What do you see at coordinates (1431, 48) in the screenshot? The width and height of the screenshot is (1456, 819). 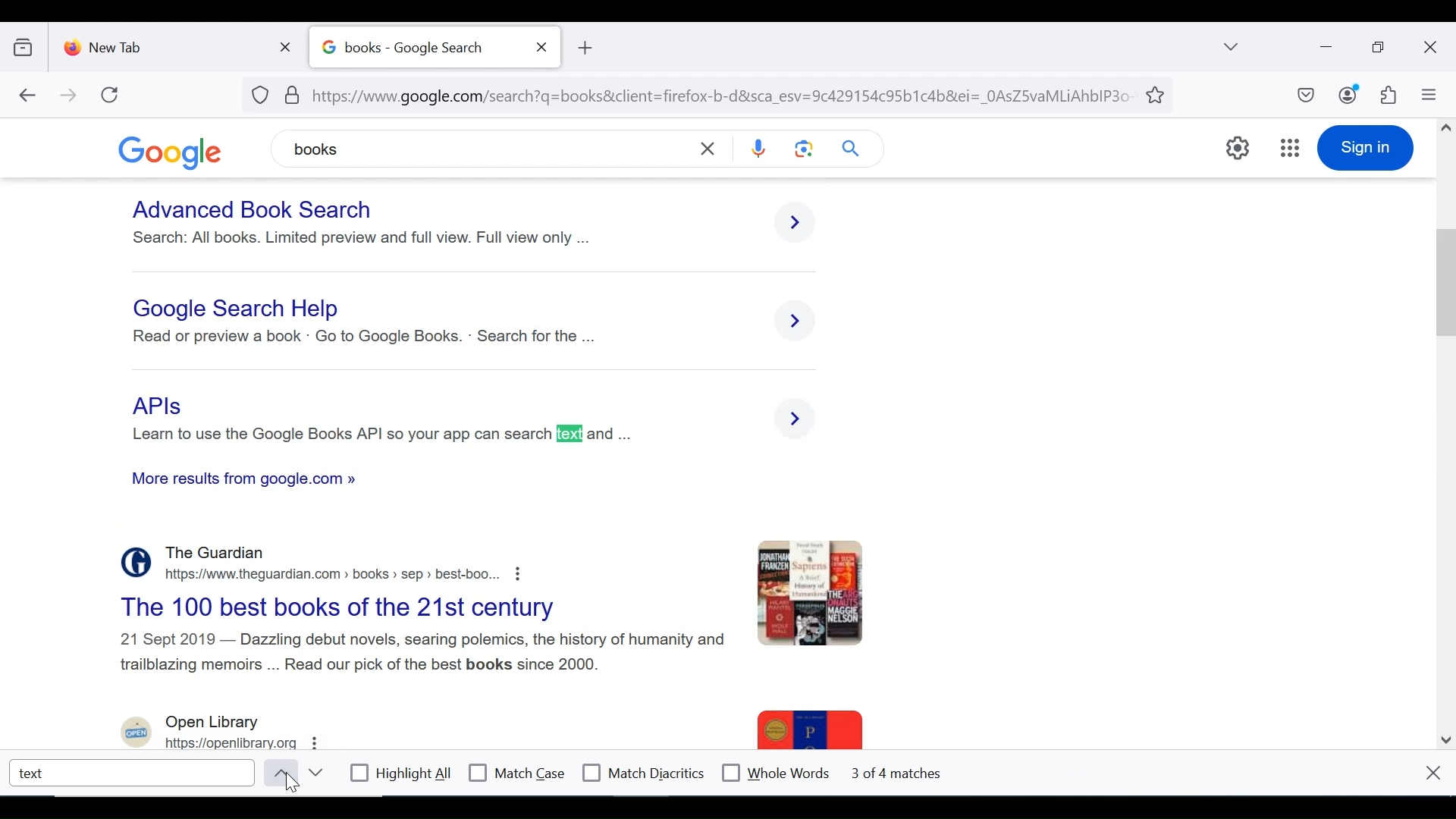 I see `close window` at bounding box center [1431, 48].